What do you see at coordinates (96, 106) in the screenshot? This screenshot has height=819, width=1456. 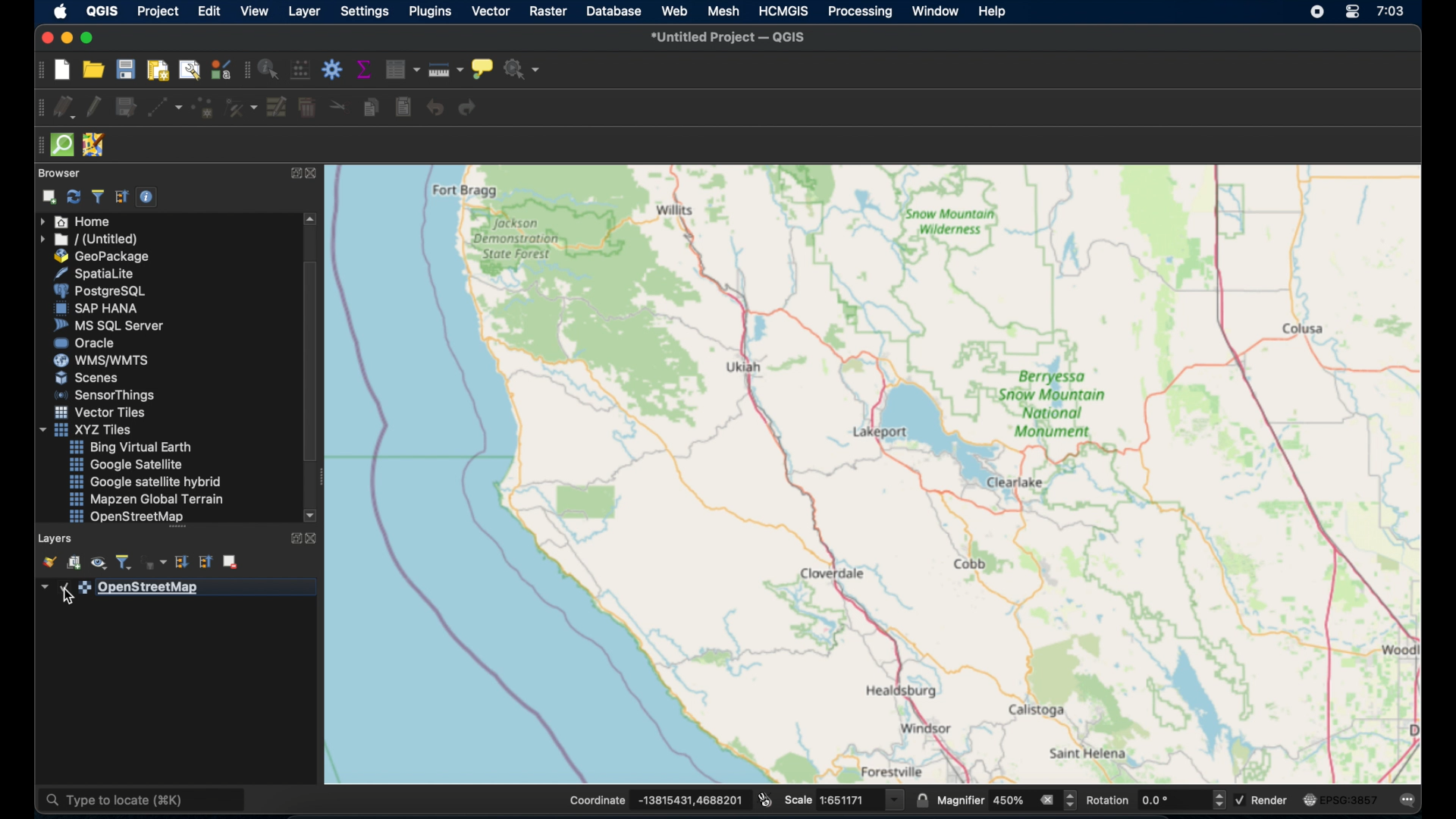 I see `toggle editing` at bounding box center [96, 106].